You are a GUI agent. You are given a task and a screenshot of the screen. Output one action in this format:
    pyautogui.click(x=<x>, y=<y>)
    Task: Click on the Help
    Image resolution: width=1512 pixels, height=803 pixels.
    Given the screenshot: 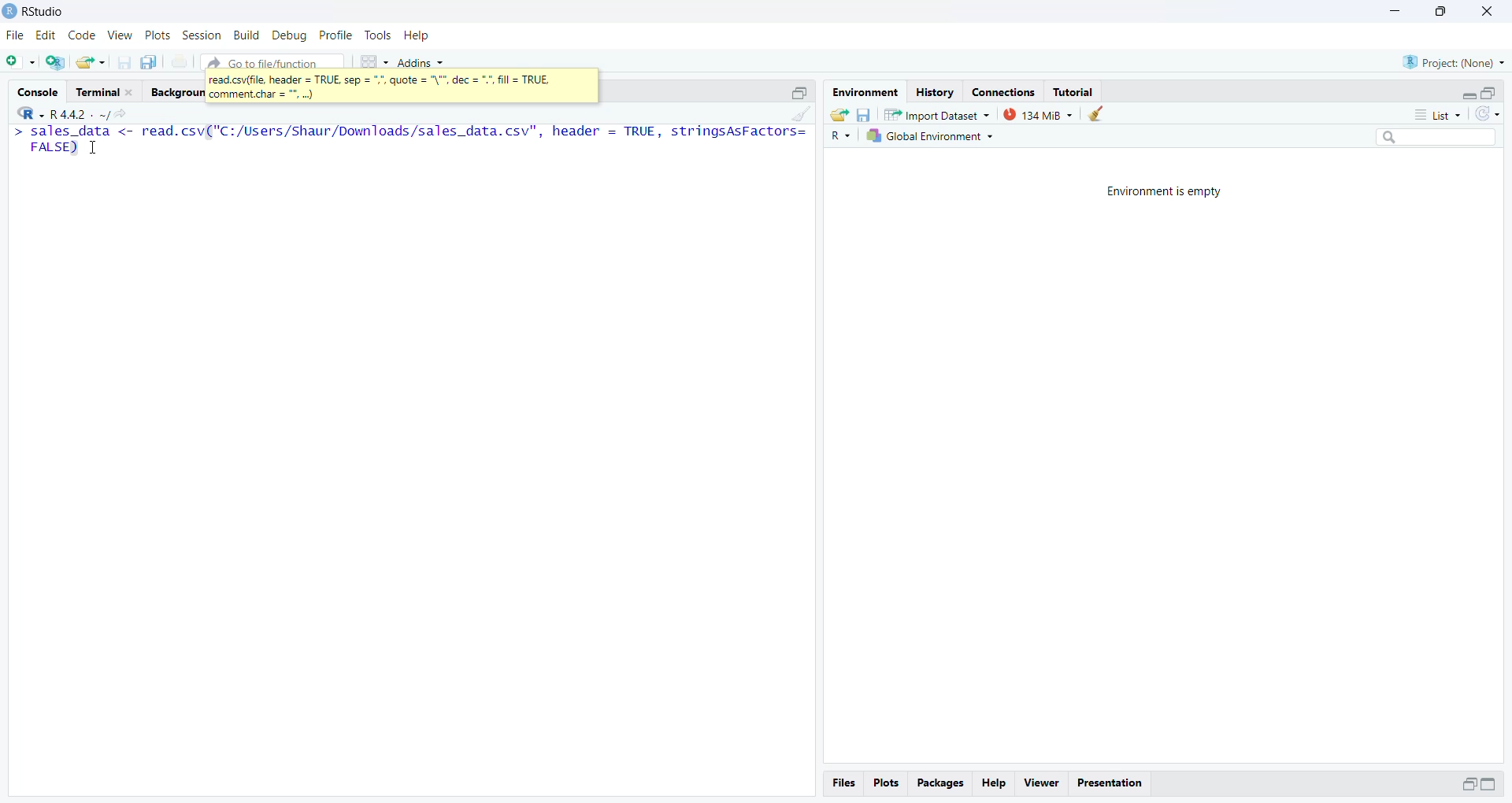 What is the action you would take?
    pyautogui.click(x=993, y=784)
    